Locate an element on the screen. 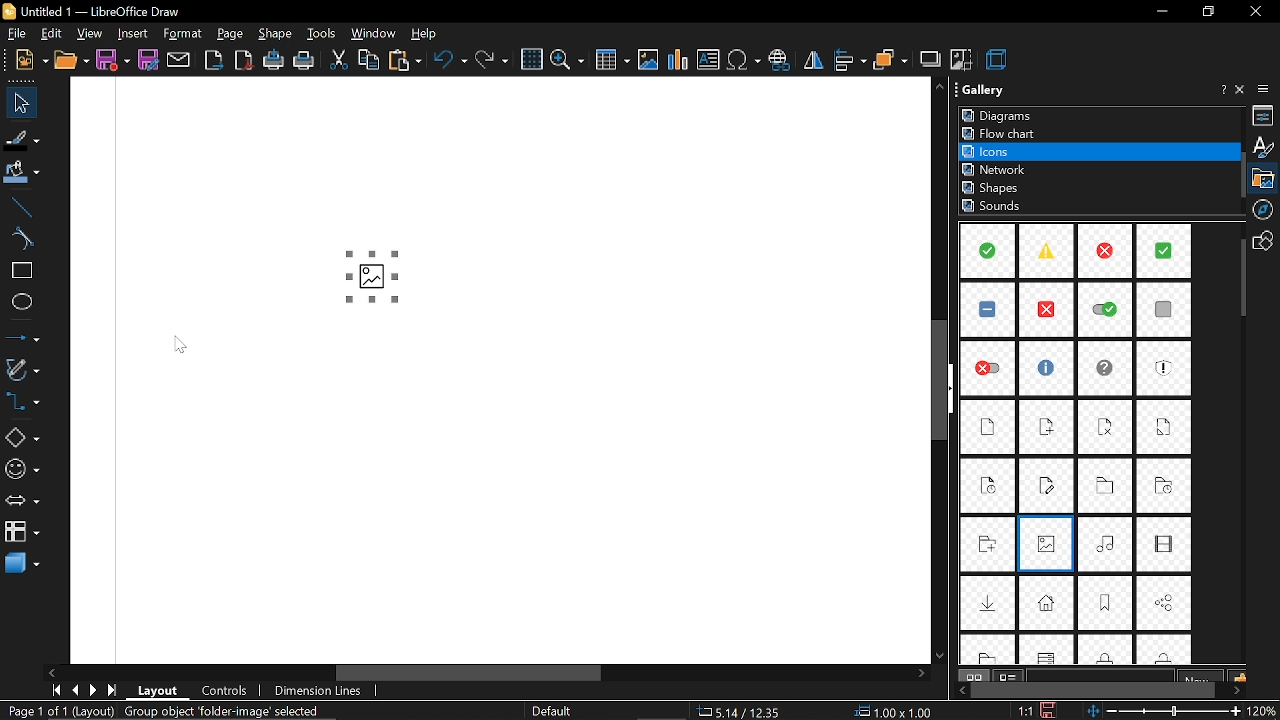 The image size is (1280, 720). lines and arrow is located at coordinates (20, 339).